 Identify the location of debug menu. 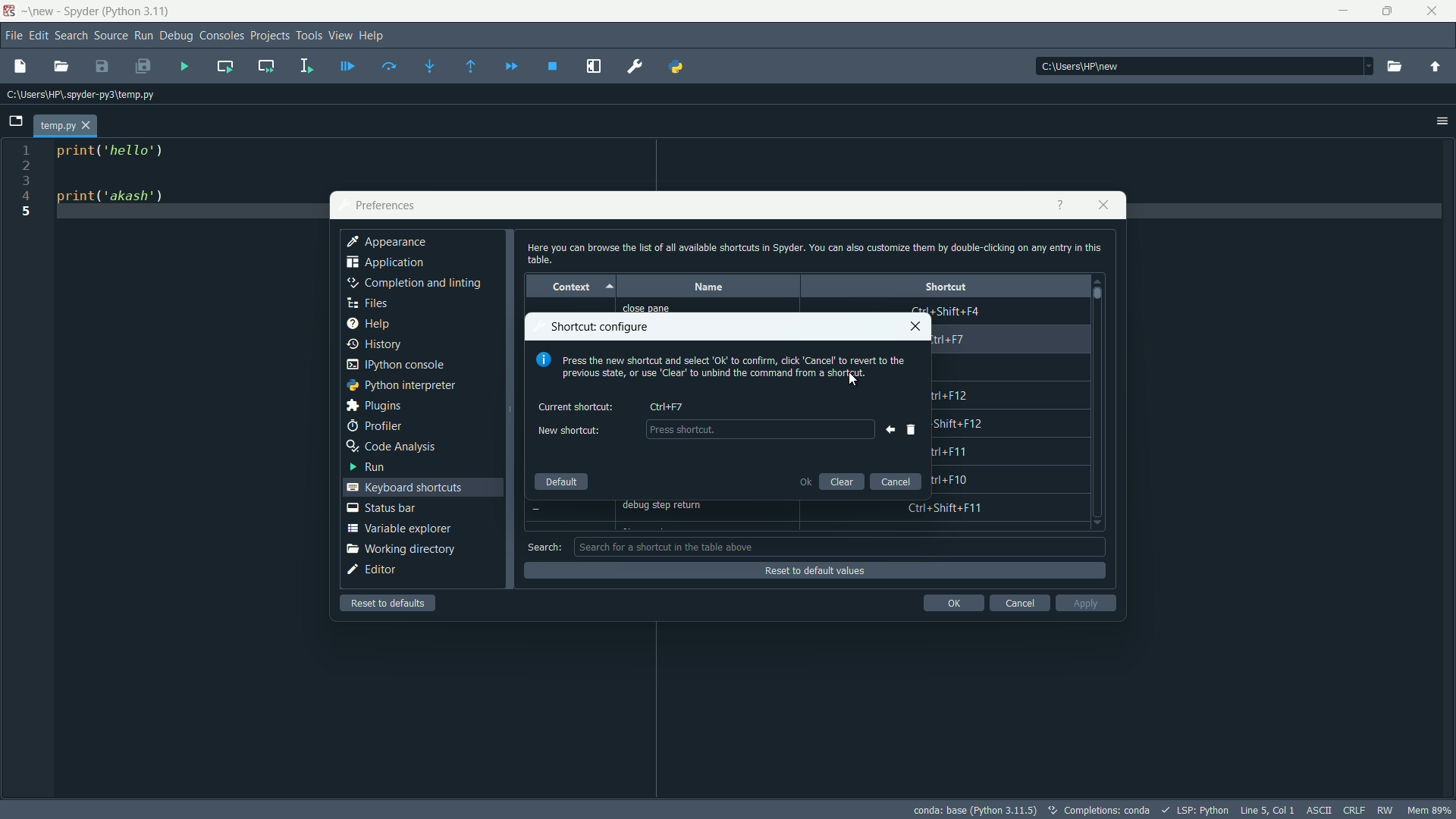
(177, 36).